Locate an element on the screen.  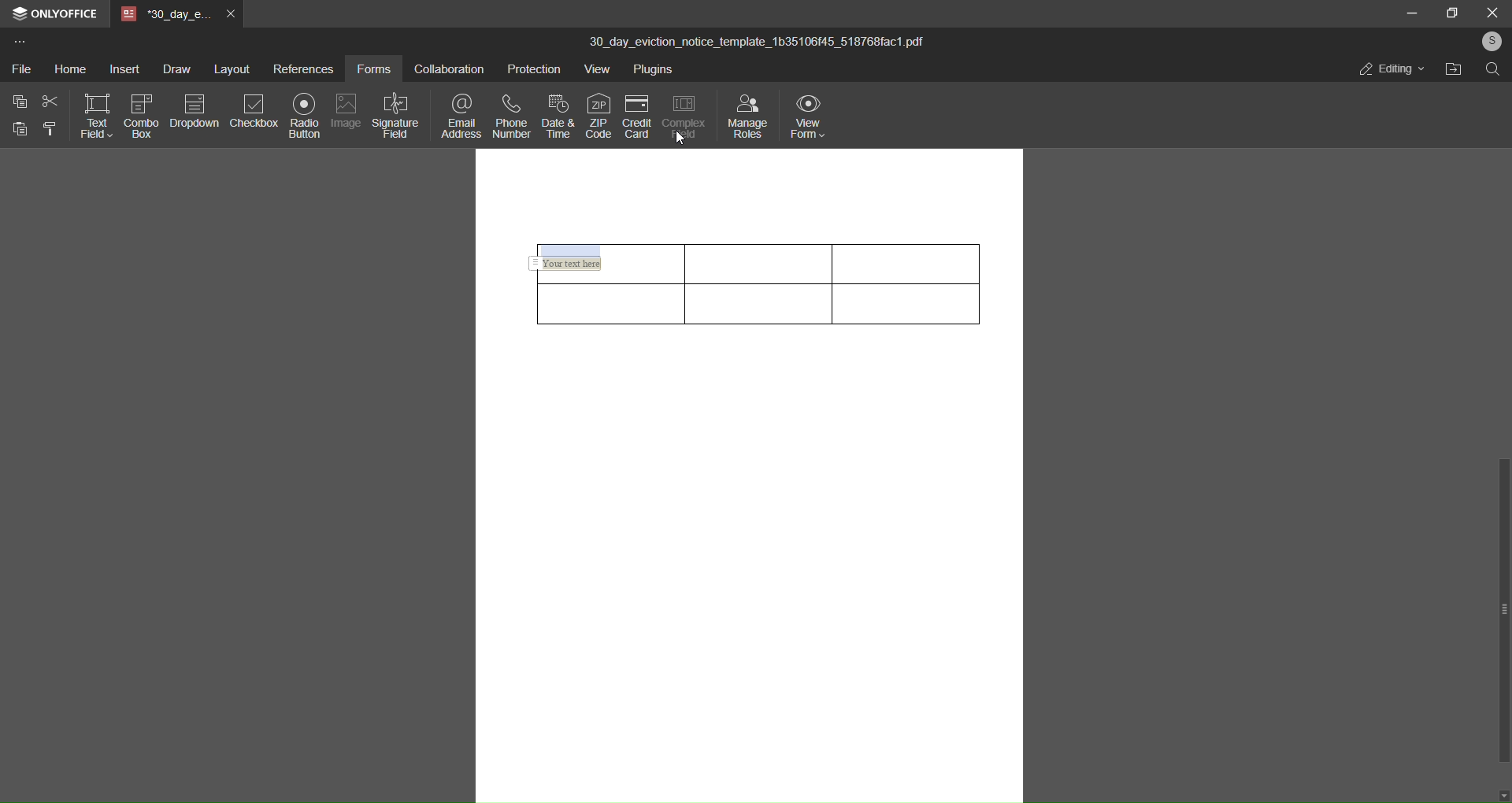
date and time is located at coordinates (559, 113).